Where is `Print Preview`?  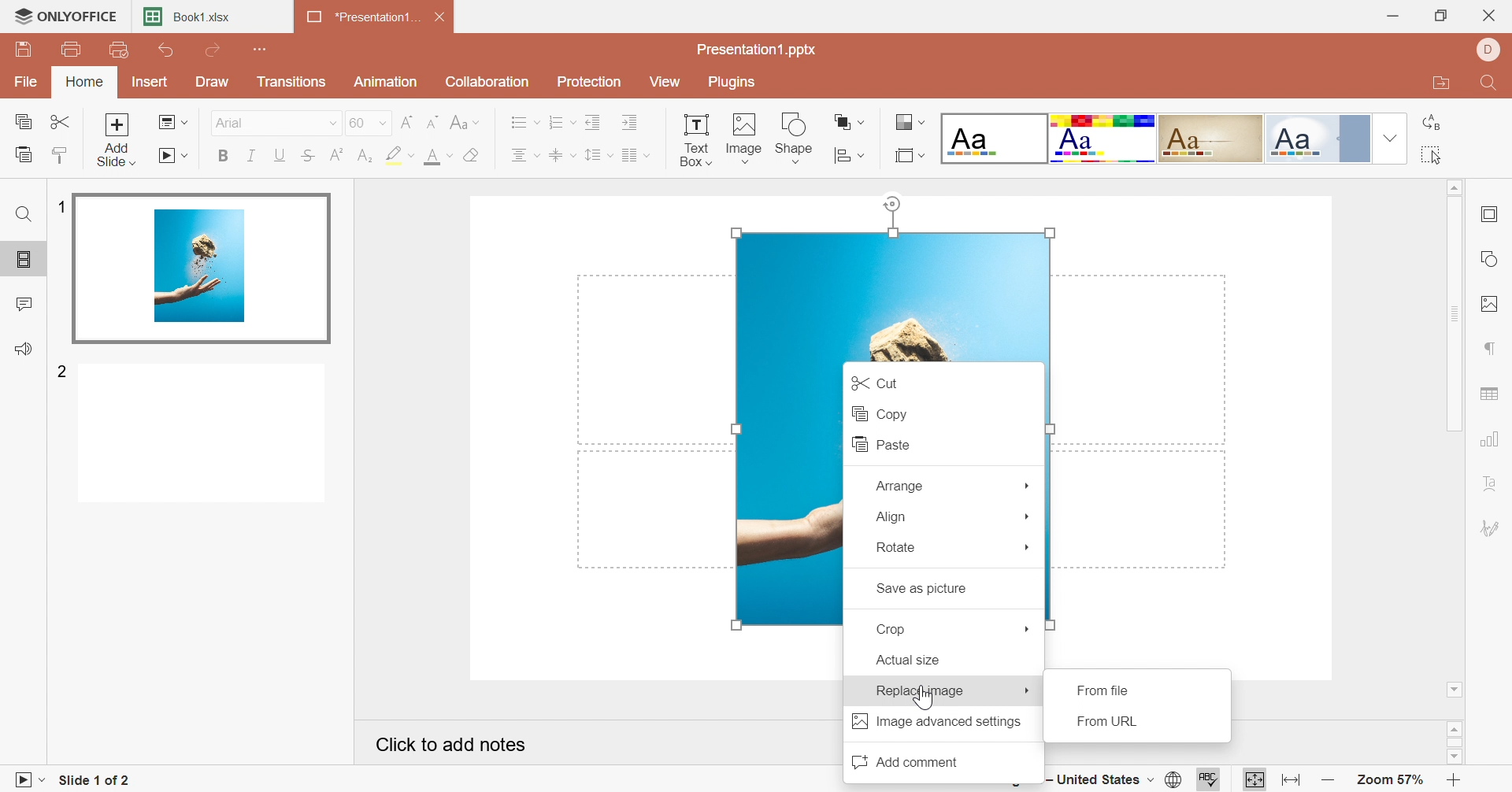
Print Preview is located at coordinates (118, 50).